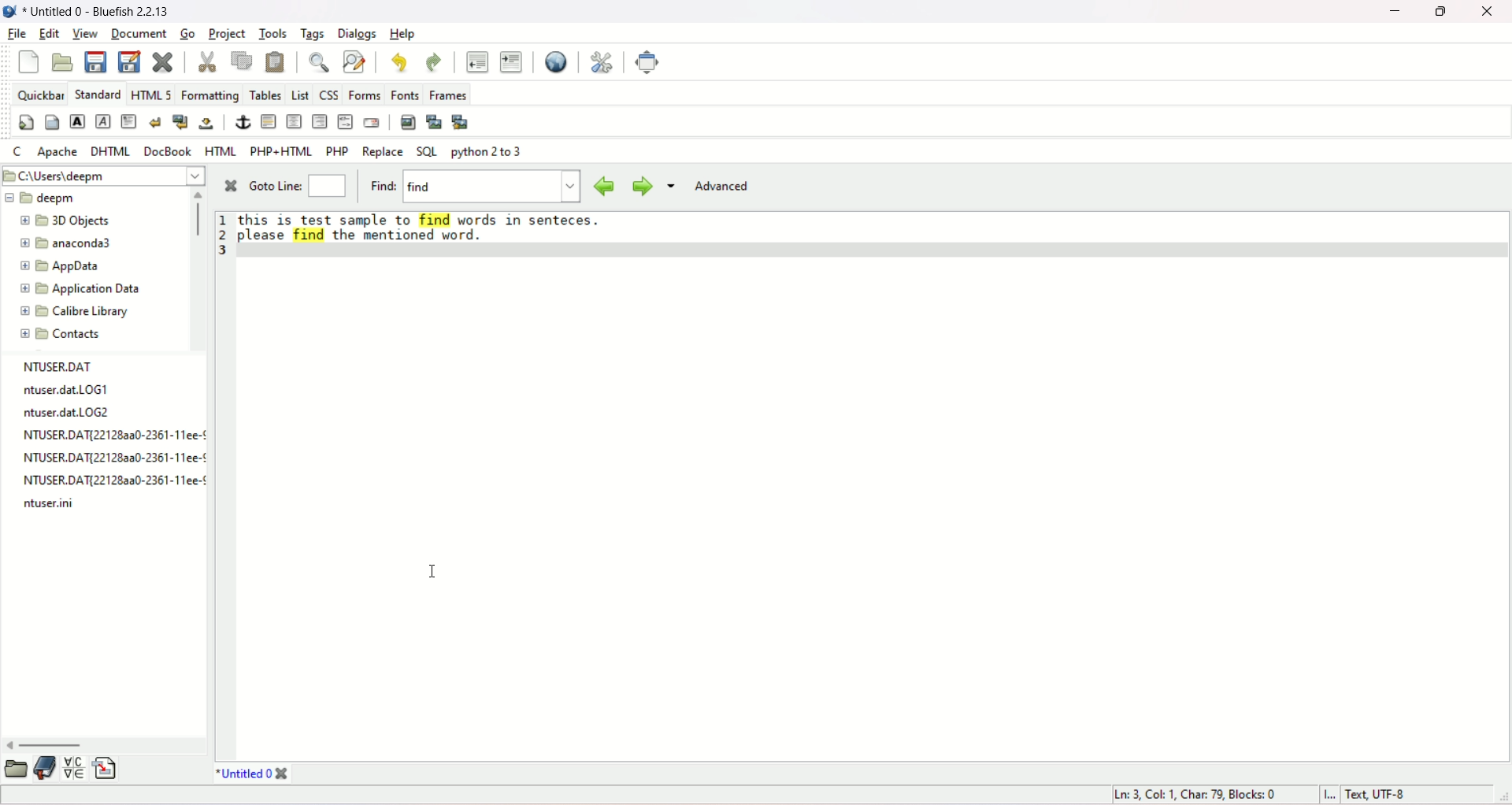 The width and height of the screenshot is (1512, 805). What do you see at coordinates (211, 95) in the screenshot?
I see `formatting` at bounding box center [211, 95].